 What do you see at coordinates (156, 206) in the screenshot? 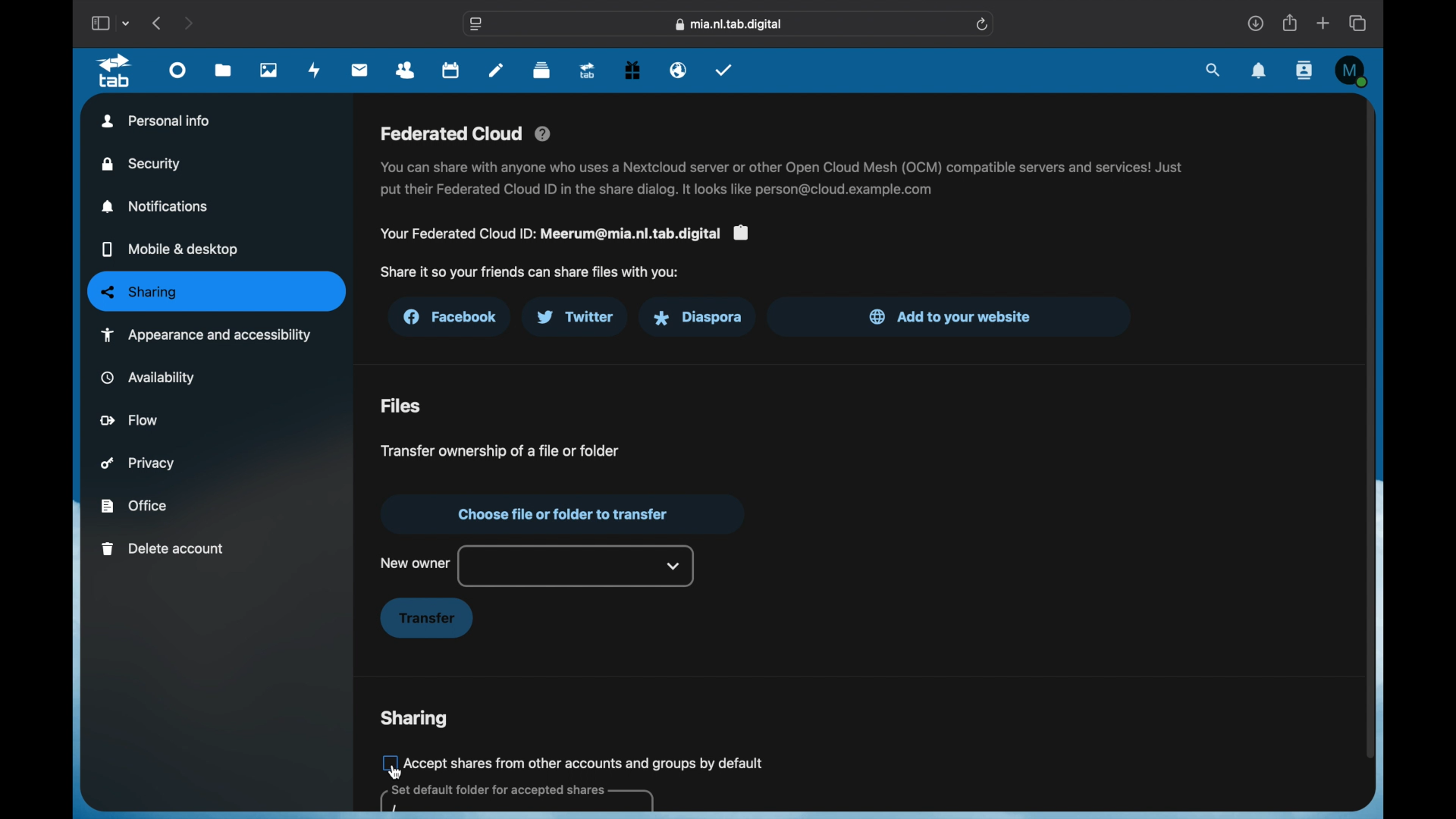
I see `notifications` at bounding box center [156, 206].